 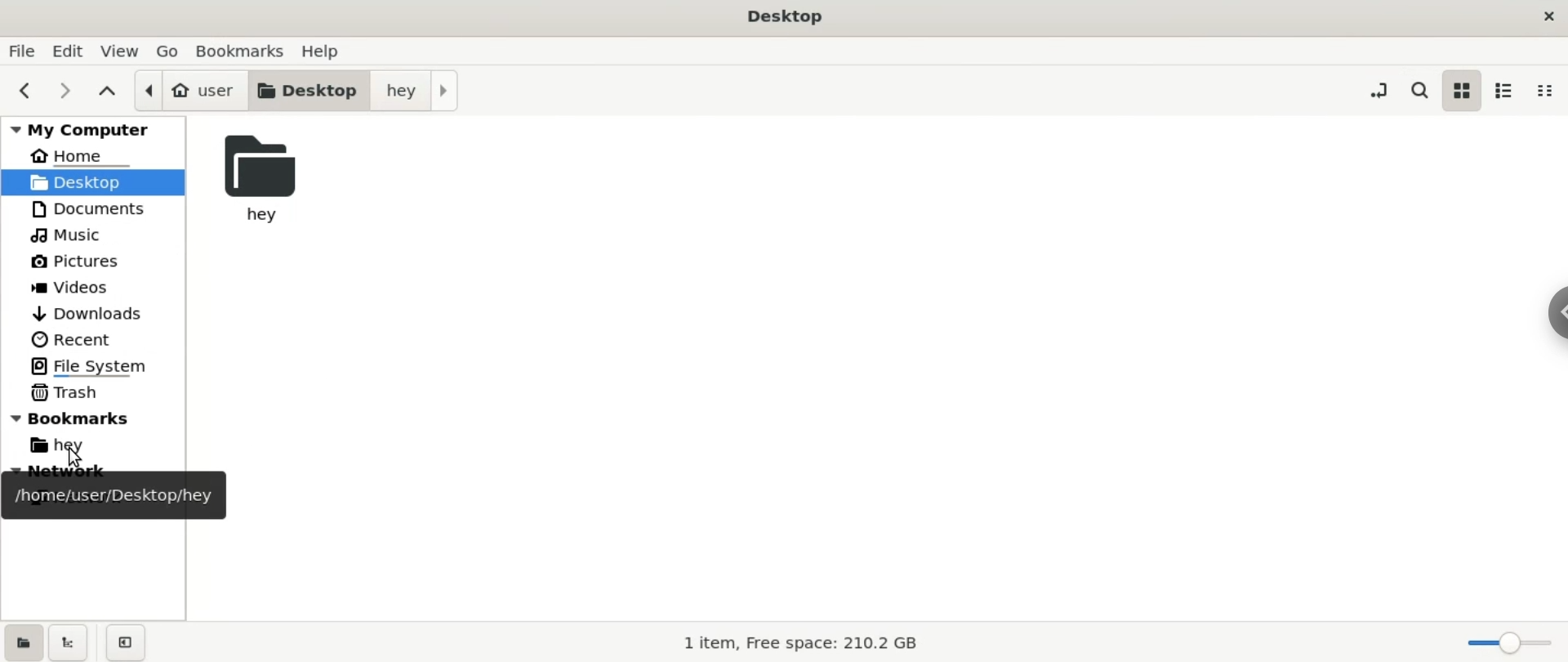 What do you see at coordinates (804, 642) in the screenshot?
I see `1 item, Free space: 210.2 GB` at bounding box center [804, 642].